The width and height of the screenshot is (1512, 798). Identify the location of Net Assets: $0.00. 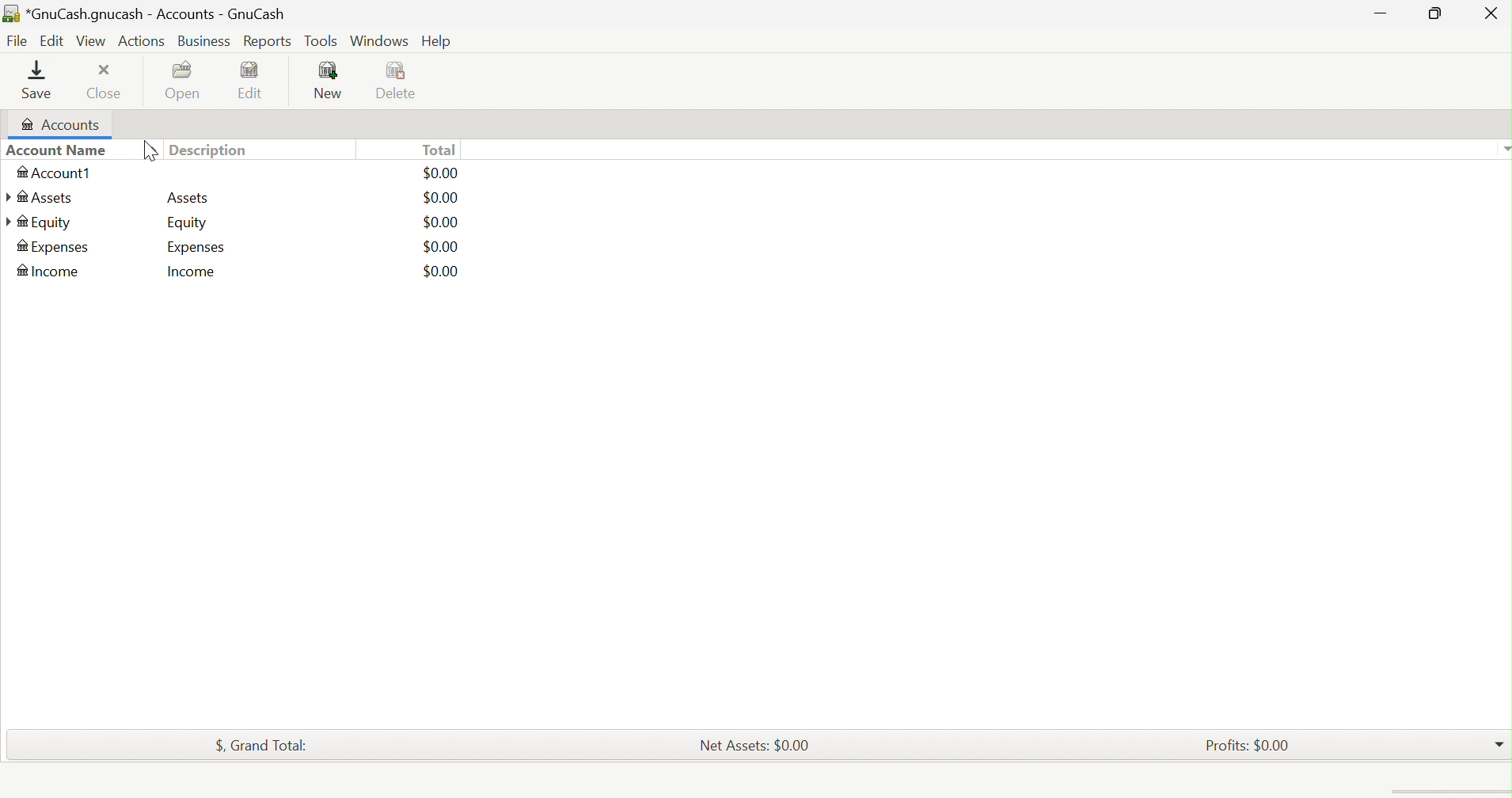
(754, 744).